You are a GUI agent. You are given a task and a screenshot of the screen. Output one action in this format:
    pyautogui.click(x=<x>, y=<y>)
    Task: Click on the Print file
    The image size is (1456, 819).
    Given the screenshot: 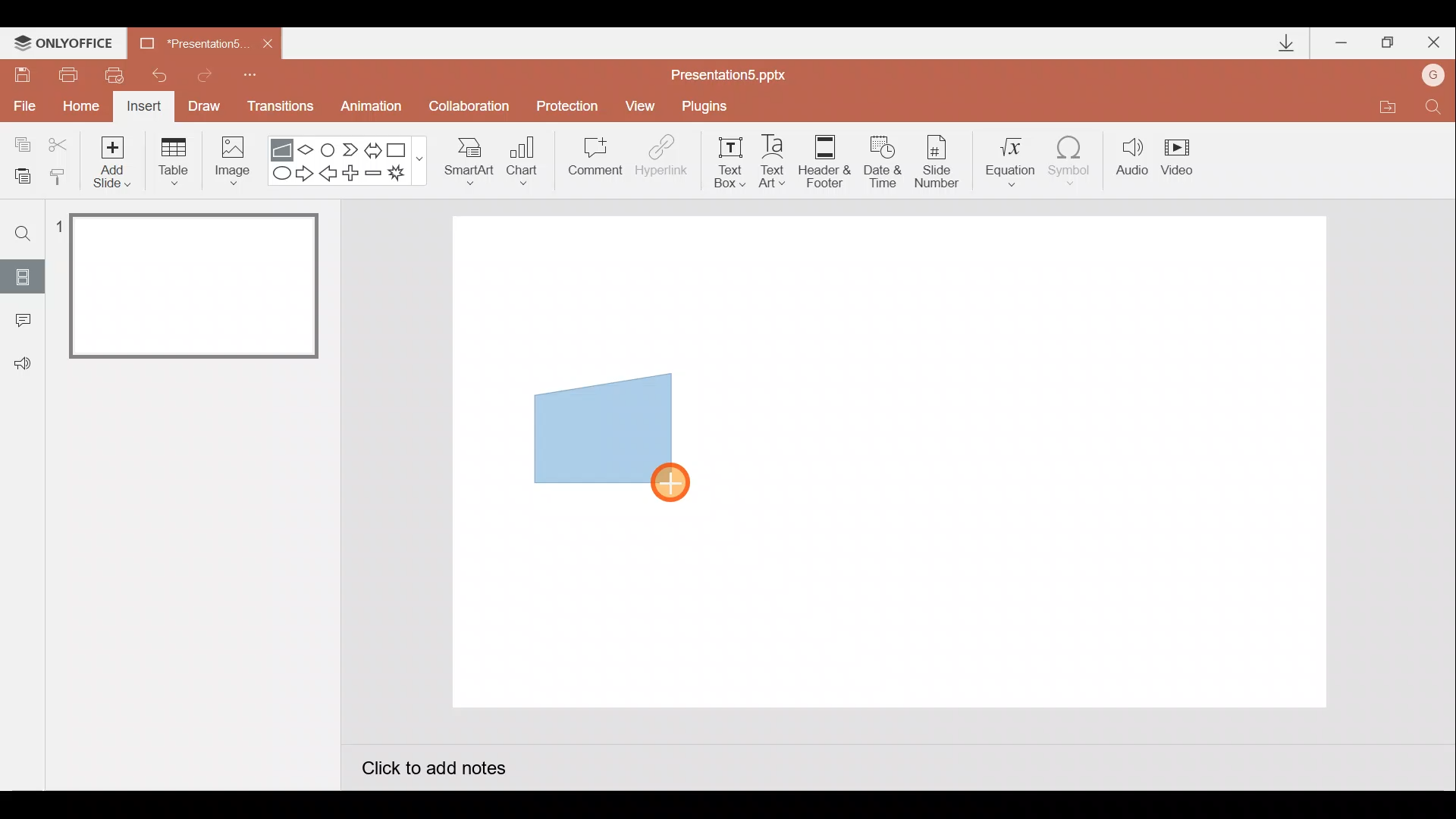 What is the action you would take?
    pyautogui.click(x=65, y=74)
    